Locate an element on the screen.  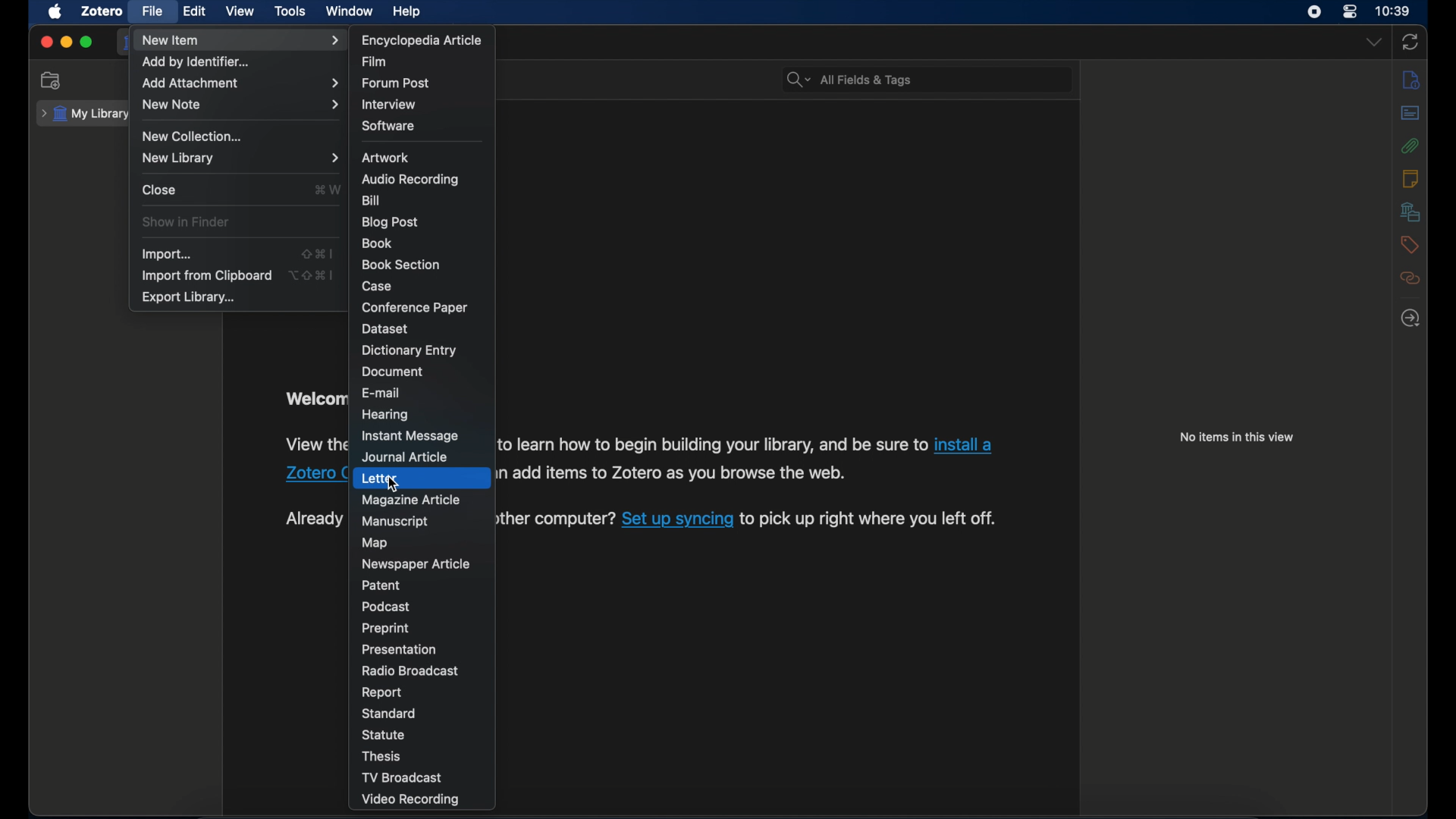
software is located at coordinates (390, 126).